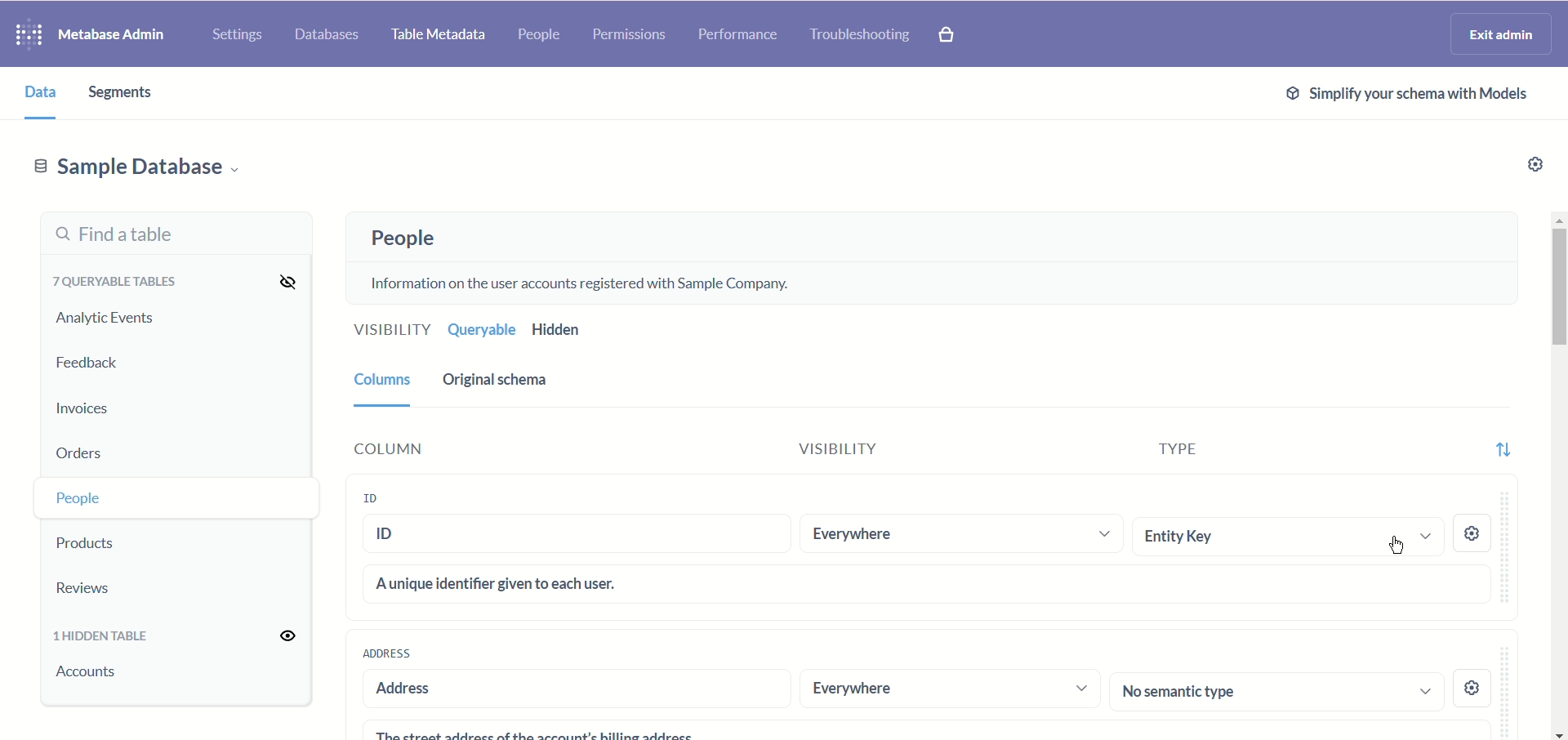  I want to click on Unhide, so click(278, 636).